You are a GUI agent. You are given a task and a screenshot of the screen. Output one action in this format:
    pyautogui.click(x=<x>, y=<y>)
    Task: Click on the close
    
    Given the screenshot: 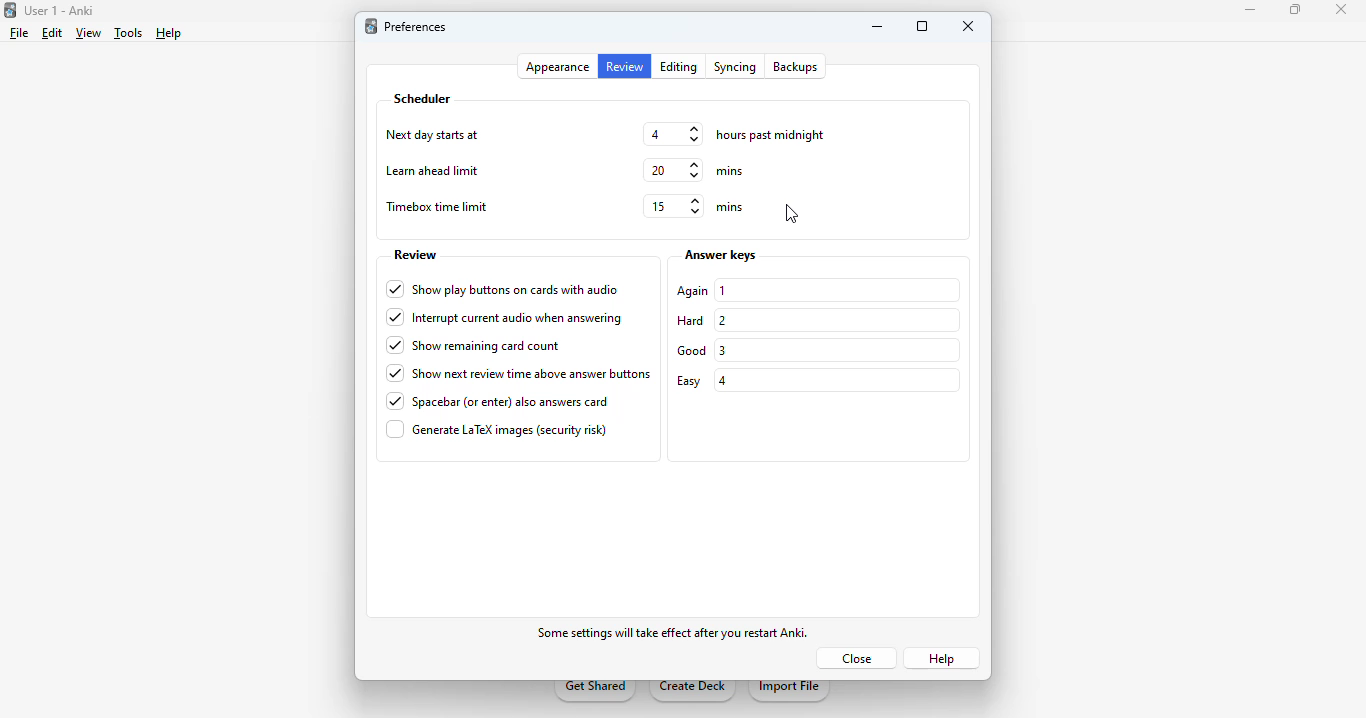 What is the action you would take?
    pyautogui.click(x=968, y=26)
    